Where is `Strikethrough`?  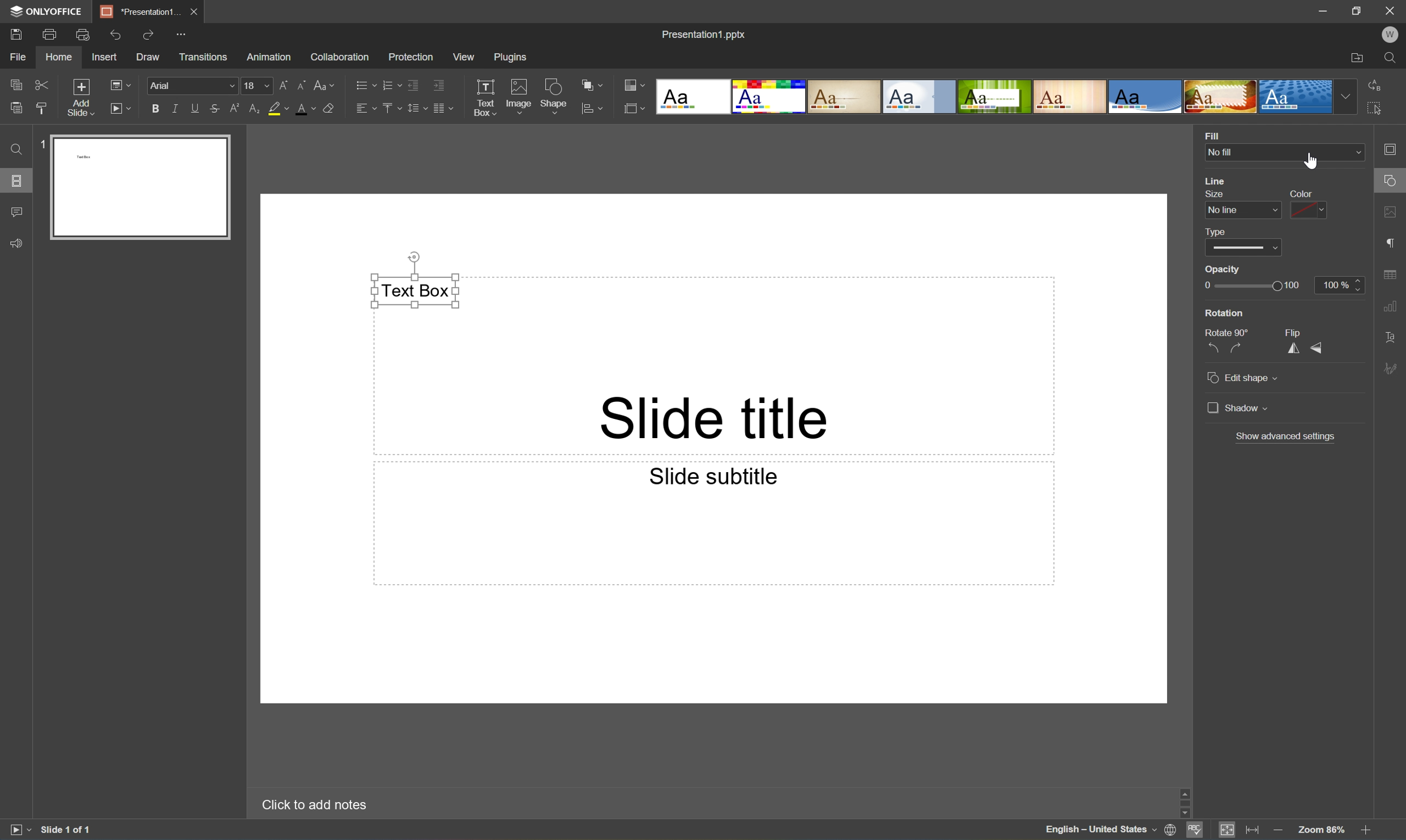 Strikethrough is located at coordinates (212, 108).